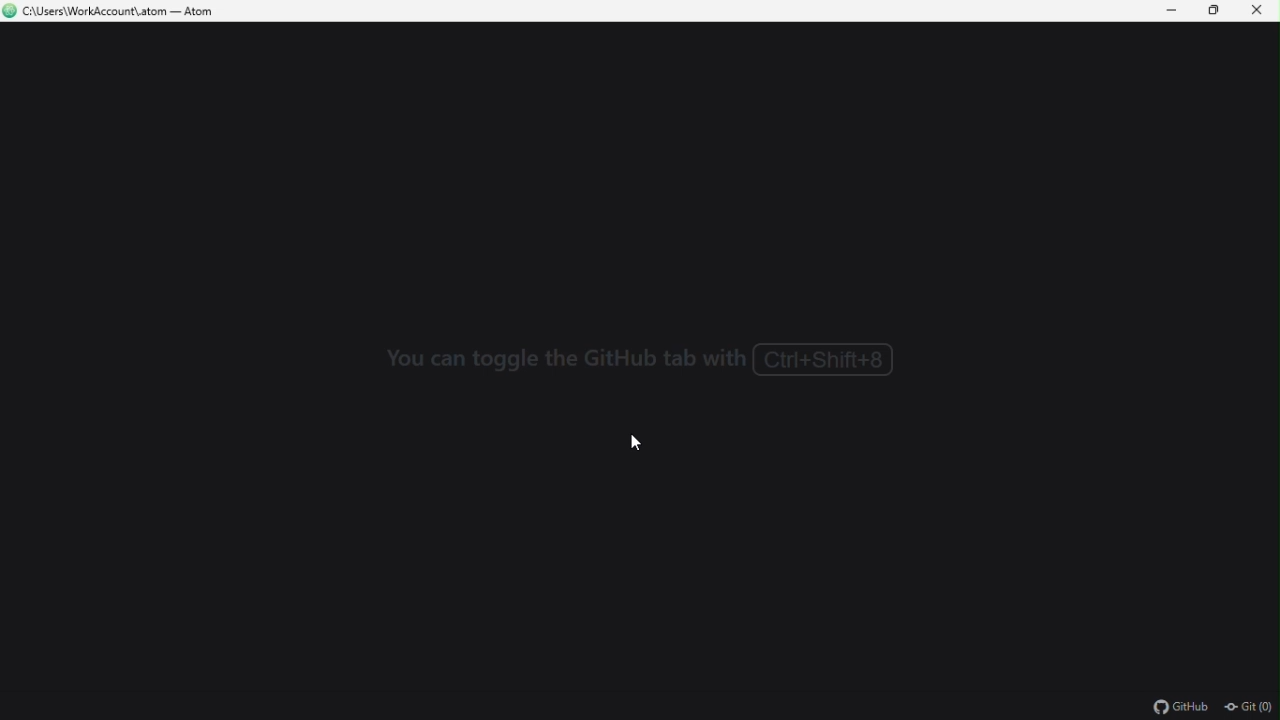 The image size is (1280, 720). What do you see at coordinates (656, 359) in the screenshot?
I see `You can toggle the GitHub tab with [ Ctrl+Shift+8]` at bounding box center [656, 359].